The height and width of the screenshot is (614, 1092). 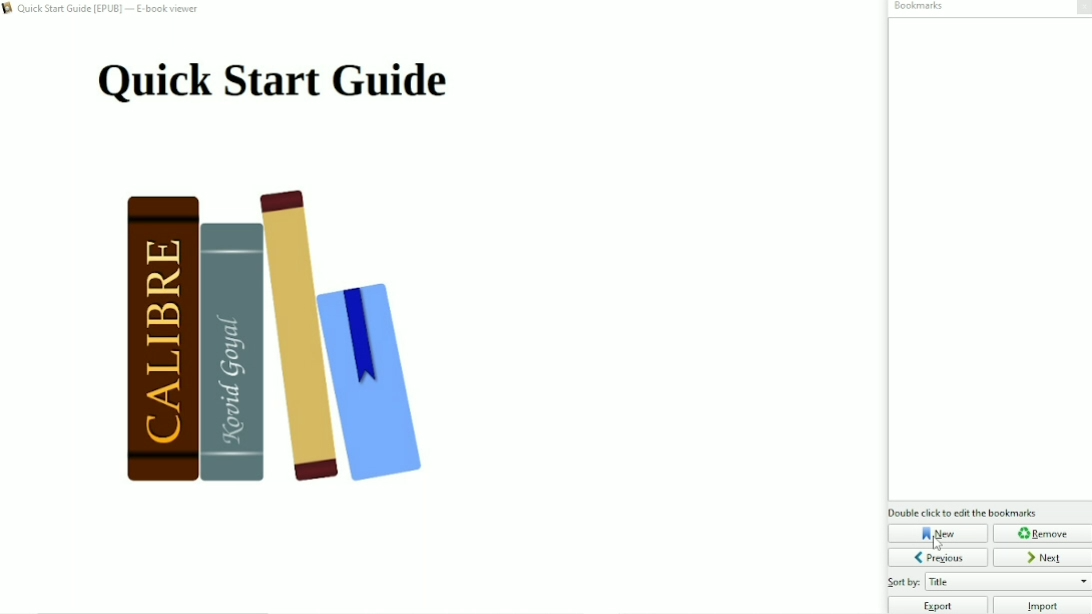 What do you see at coordinates (963, 512) in the screenshot?
I see `Double click to edit the bookmarks` at bounding box center [963, 512].